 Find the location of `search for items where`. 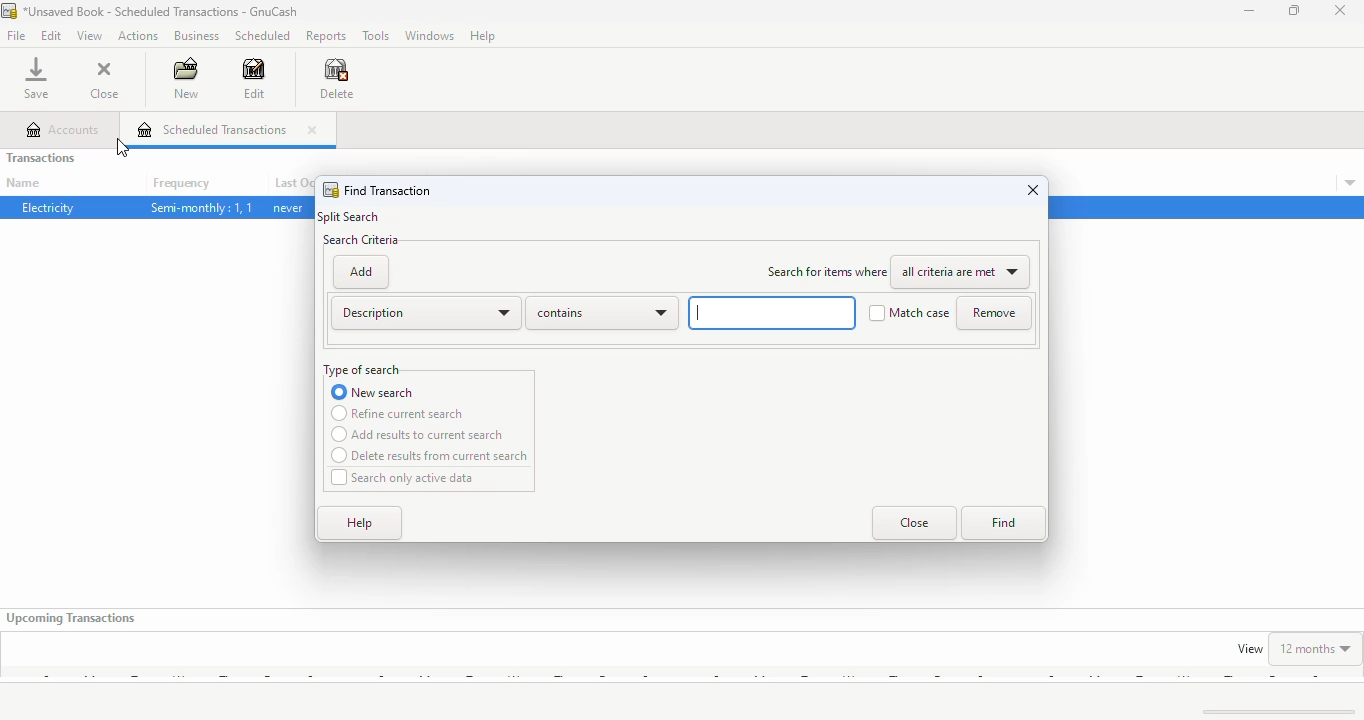

search for items where is located at coordinates (827, 272).